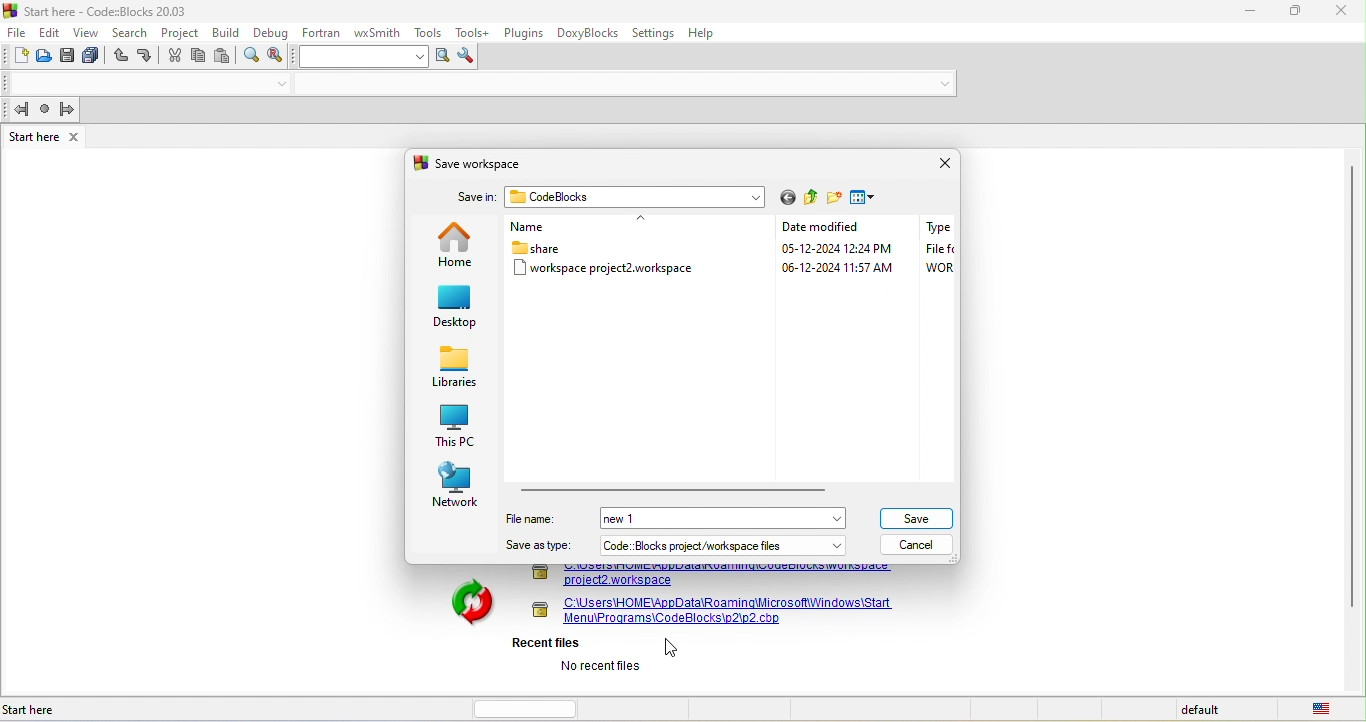  What do you see at coordinates (605, 198) in the screenshot?
I see `save in codeblocks` at bounding box center [605, 198].